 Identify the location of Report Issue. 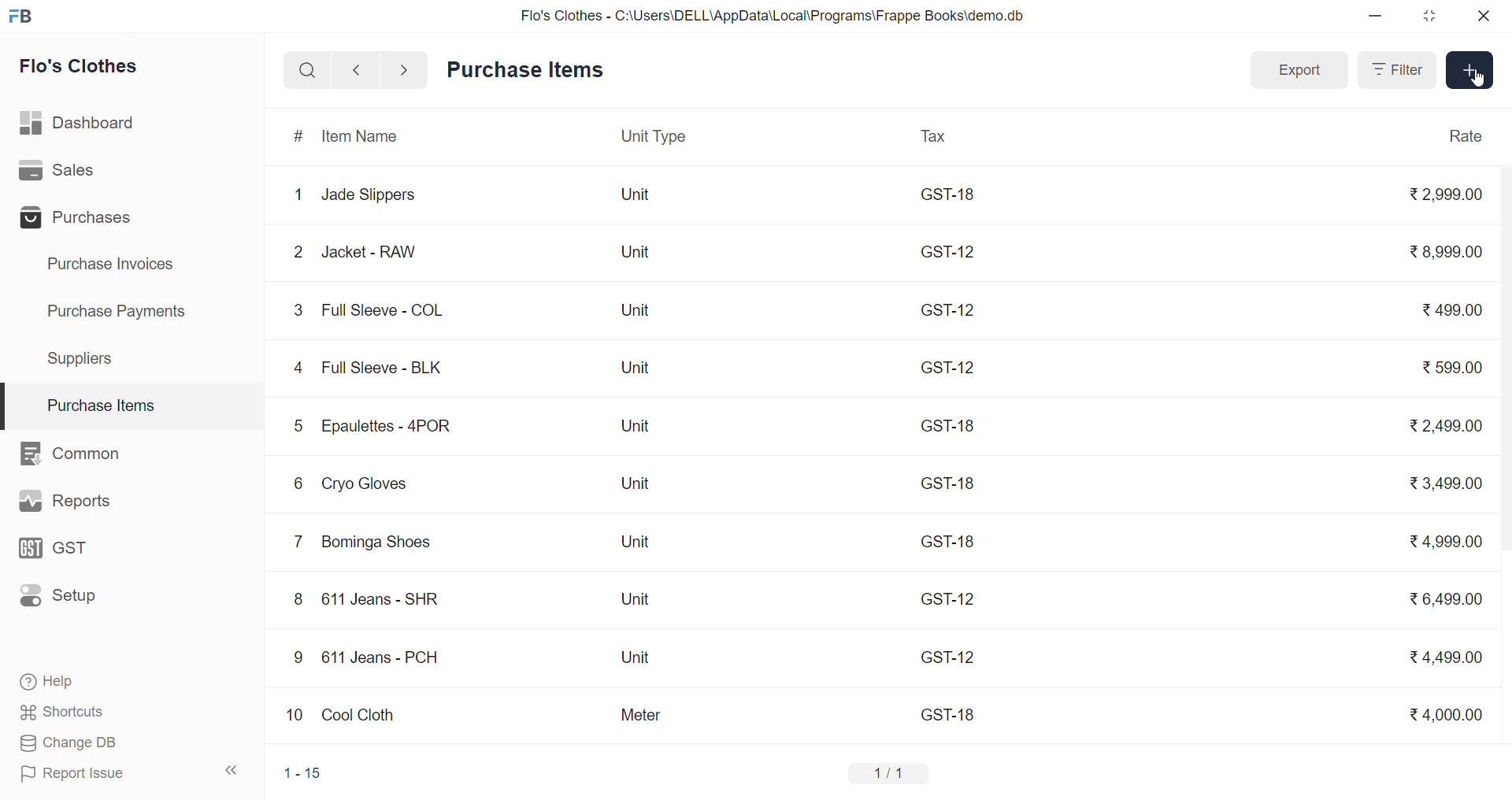
(98, 772).